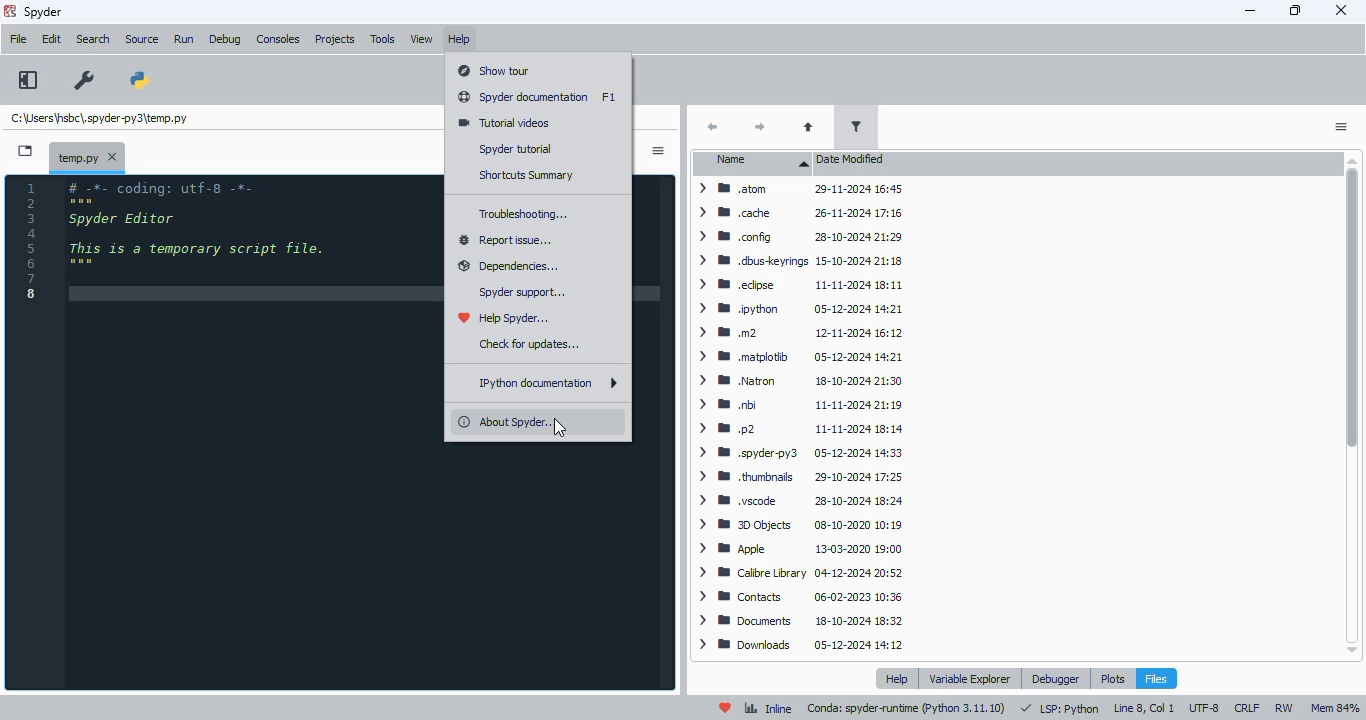 This screenshot has height=720, width=1366. Describe the element at coordinates (422, 39) in the screenshot. I see `view` at that location.